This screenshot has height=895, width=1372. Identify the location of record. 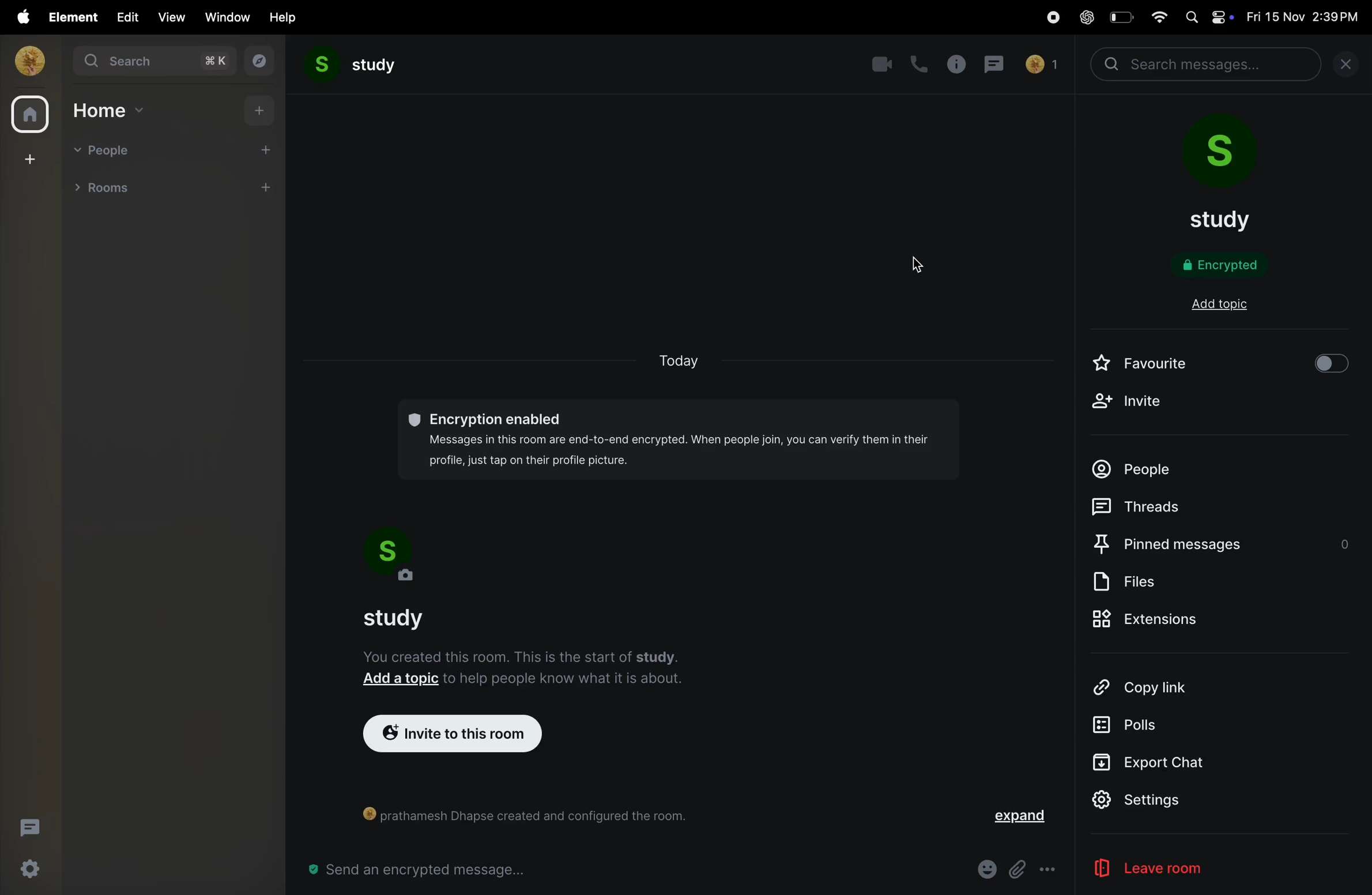
(1048, 18).